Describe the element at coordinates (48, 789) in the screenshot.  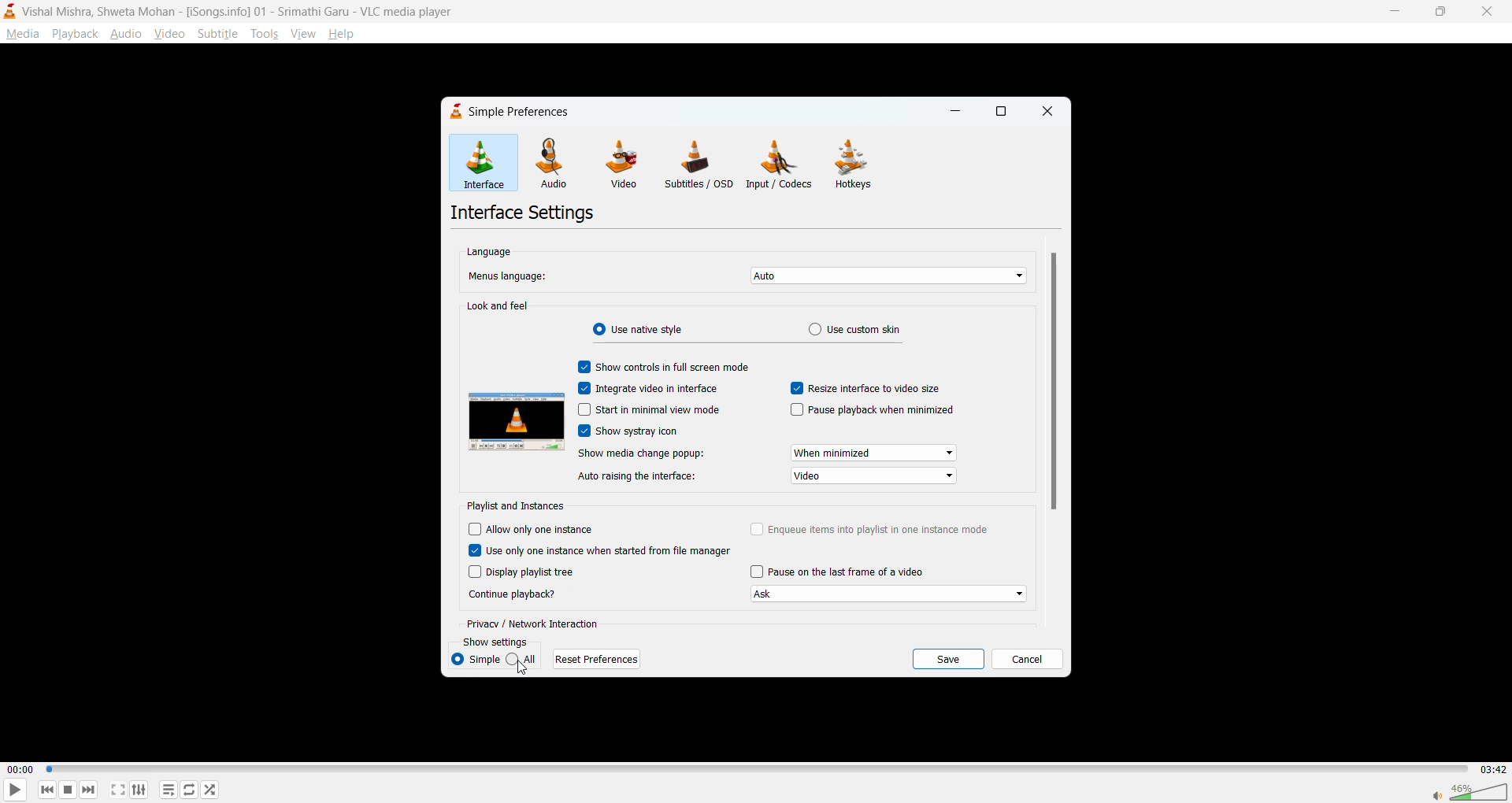
I see `previous` at that location.